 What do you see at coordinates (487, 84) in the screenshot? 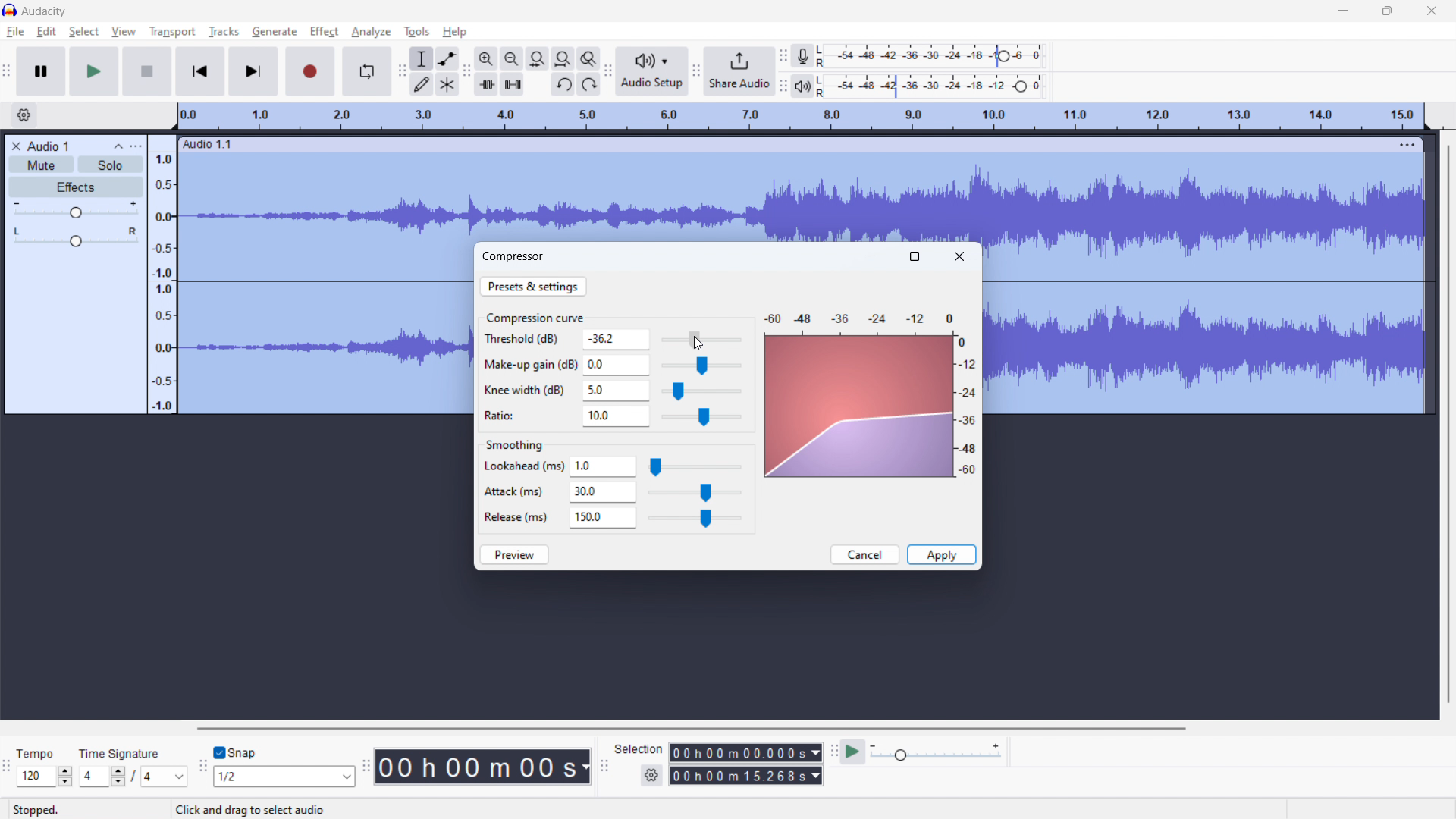
I see `trim audio outside selection` at bounding box center [487, 84].